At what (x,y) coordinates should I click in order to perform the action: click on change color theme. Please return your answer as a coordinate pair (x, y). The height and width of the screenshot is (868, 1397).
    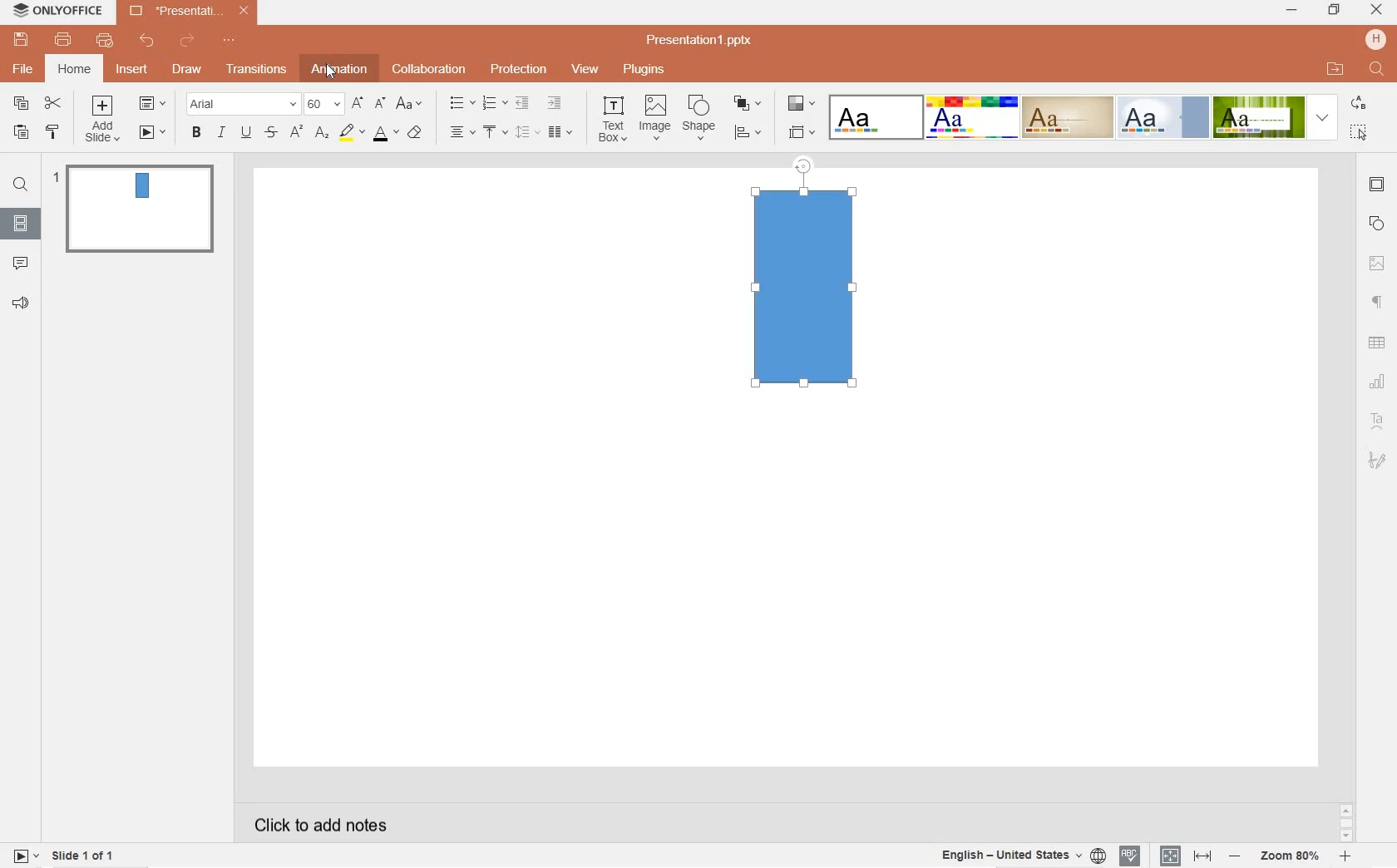
    Looking at the image, I should click on (799, 106).